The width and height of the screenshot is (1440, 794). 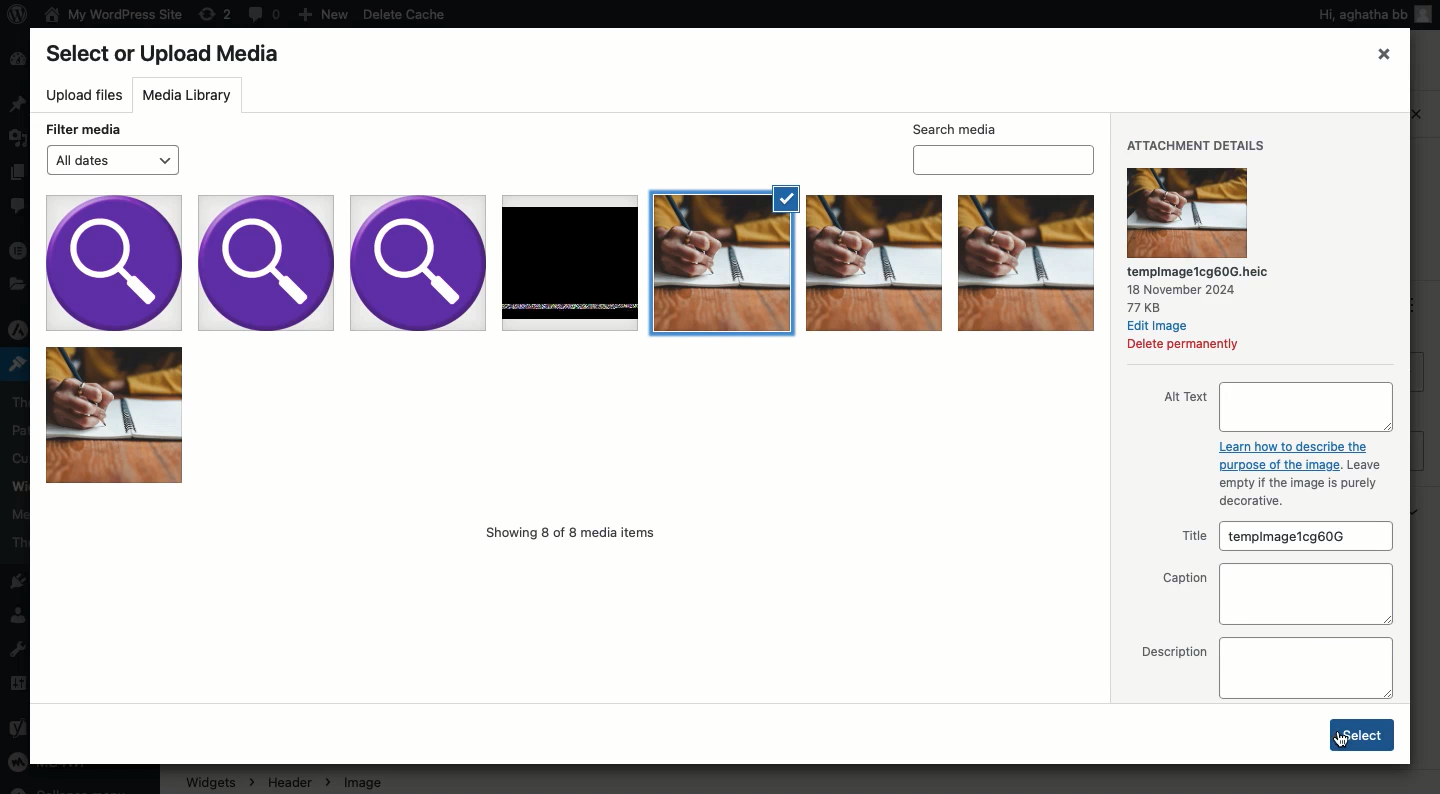 I want to click on Image, so click(x=1189, y=213).